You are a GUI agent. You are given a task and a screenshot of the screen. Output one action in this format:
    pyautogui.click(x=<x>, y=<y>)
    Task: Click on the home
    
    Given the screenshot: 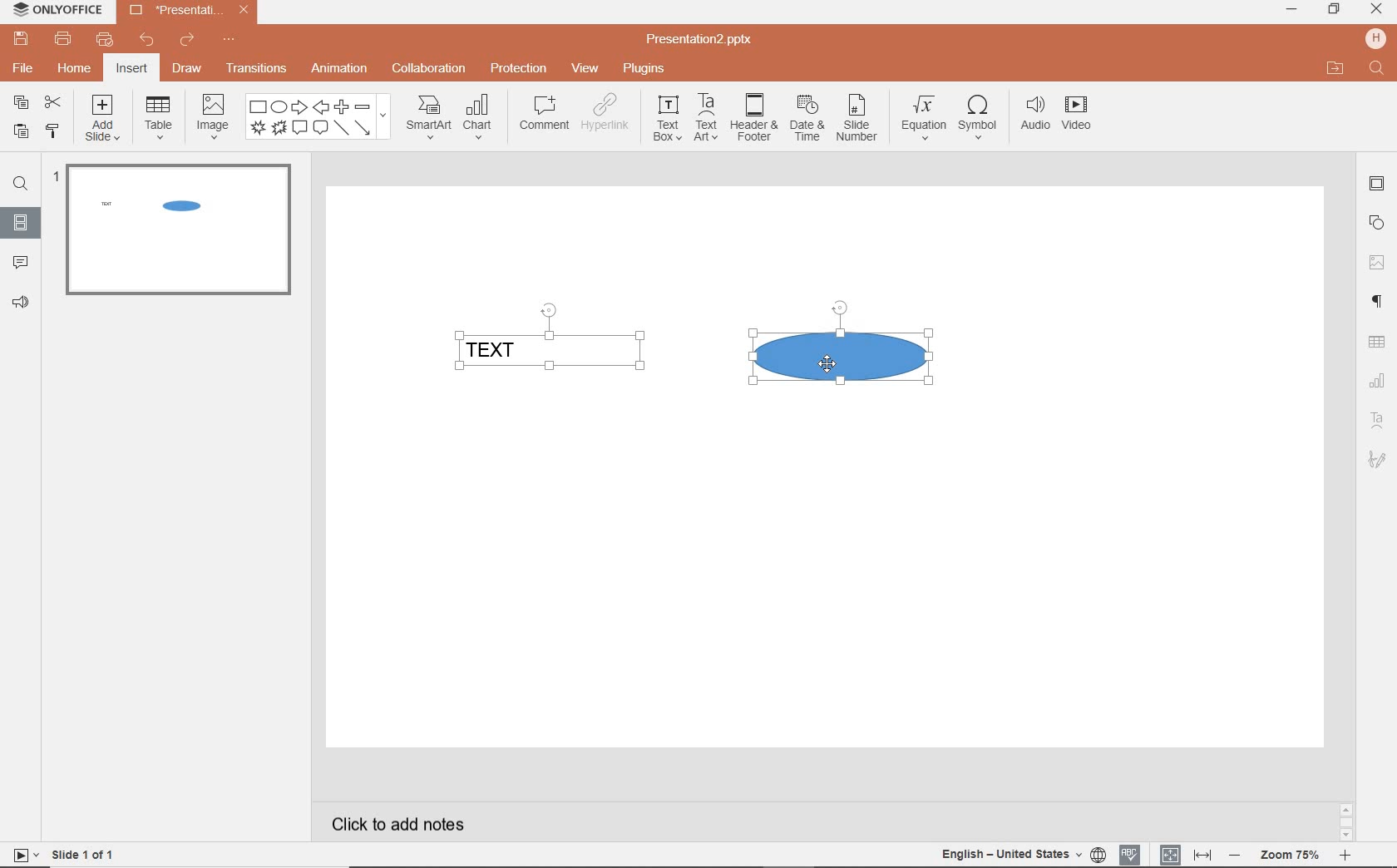 What is the action you would take?
    pyautogui.click(x=76, y=69)
    